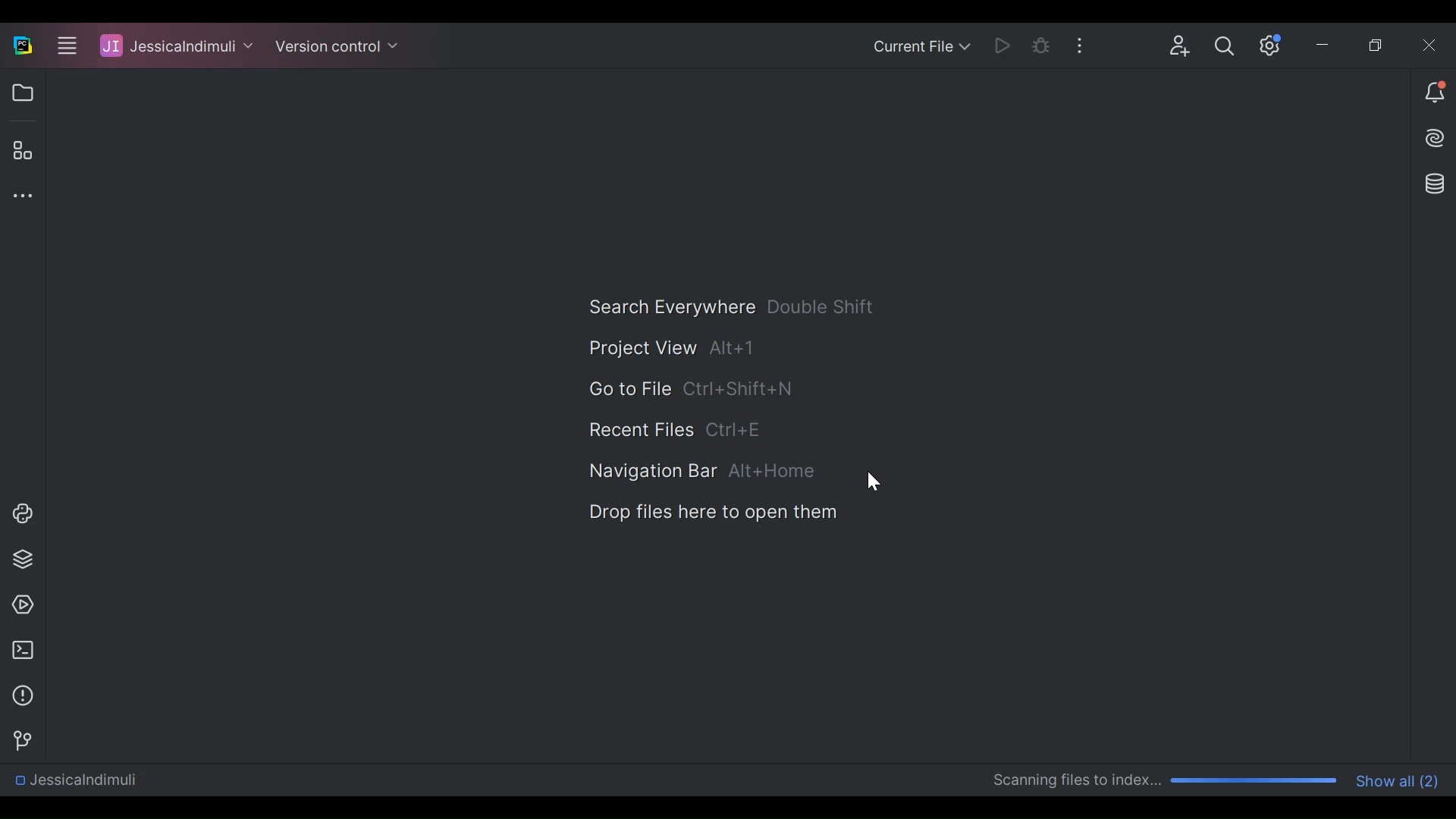 The image size is (1456, 819). Describe the element at coordinates (18, 739) in the screenshot. I see `Git` at that location.